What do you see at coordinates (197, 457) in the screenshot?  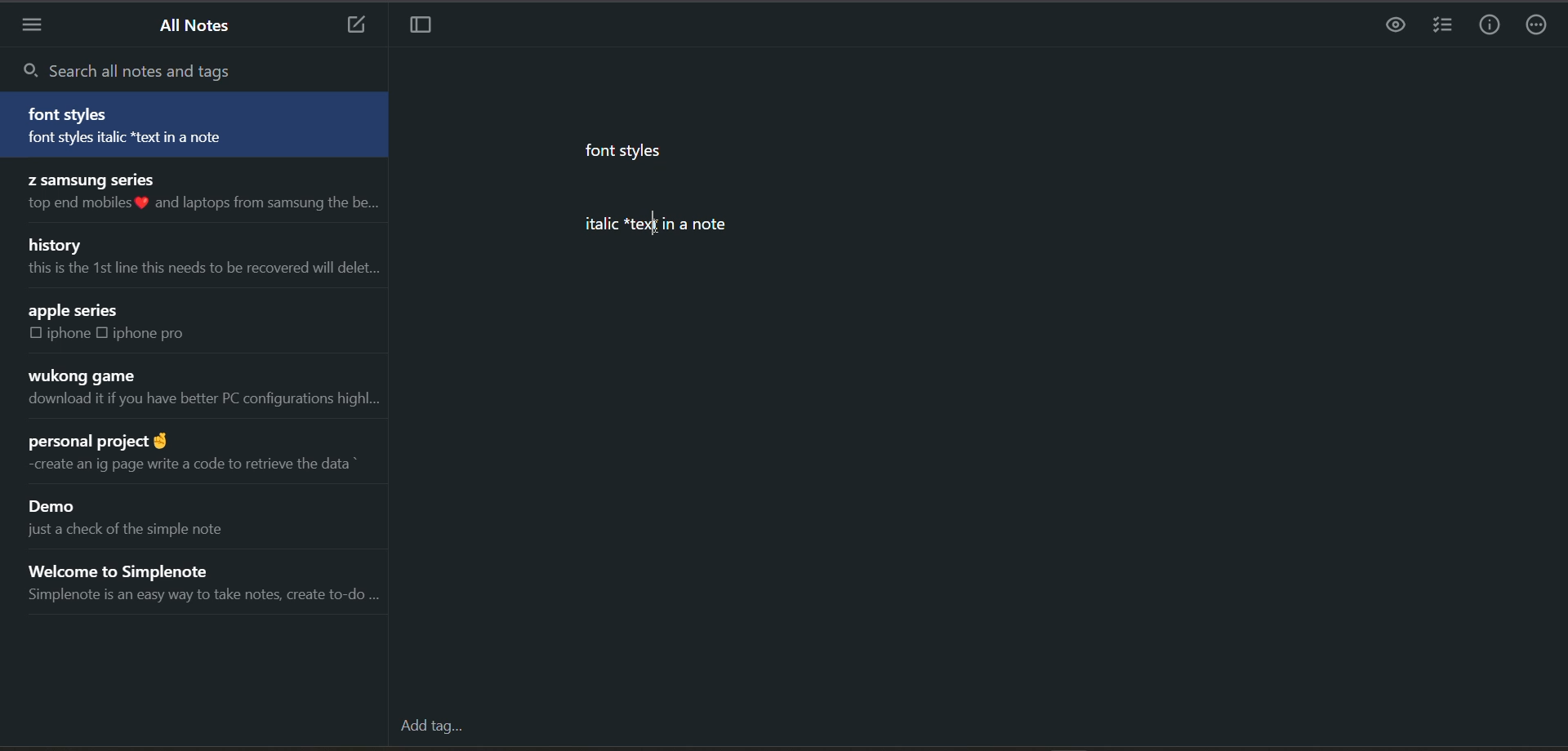 I see `note title and preview` at bounding box center [197, 457].